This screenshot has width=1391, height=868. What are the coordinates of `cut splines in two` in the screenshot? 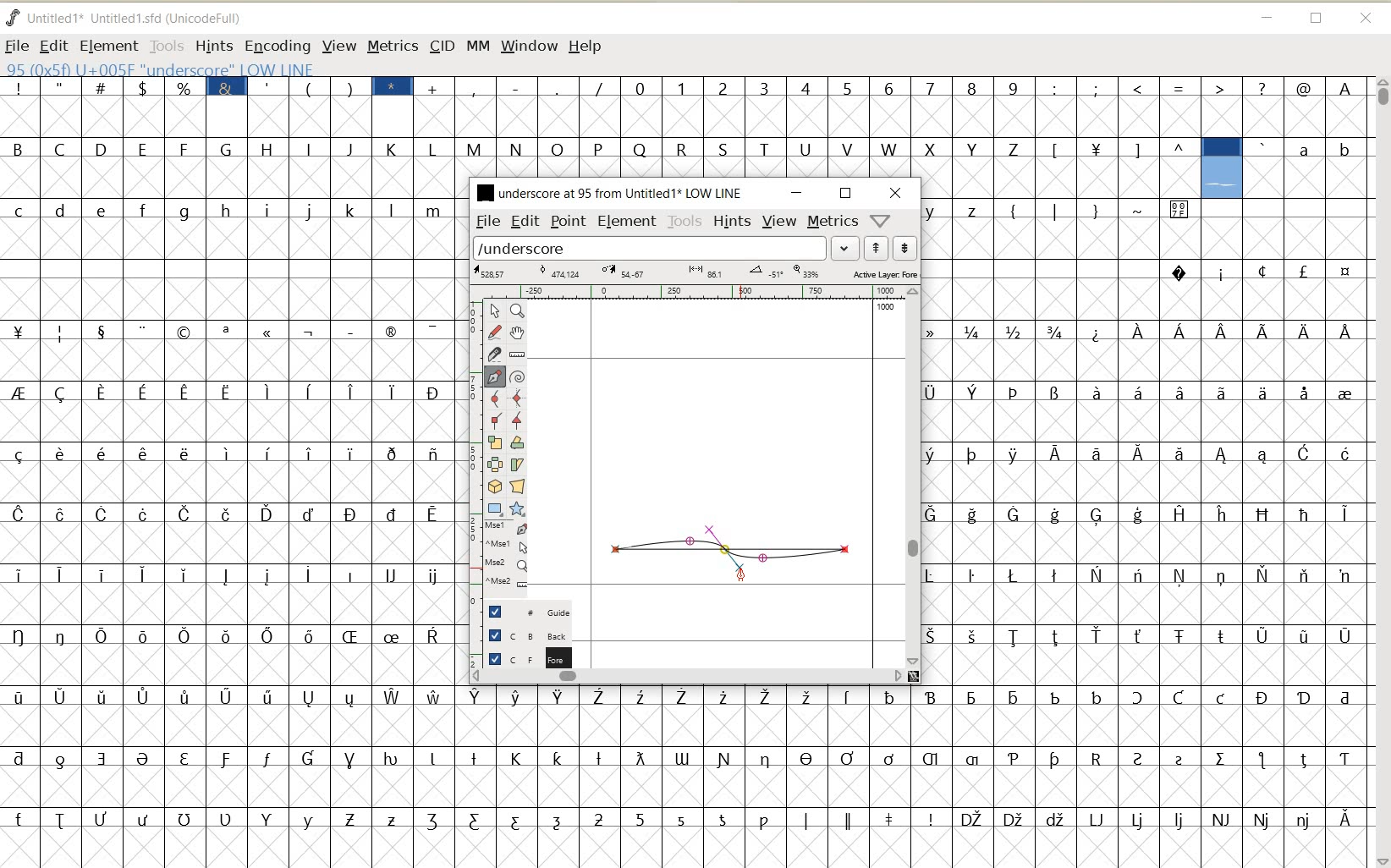 It's located at (492, 354).